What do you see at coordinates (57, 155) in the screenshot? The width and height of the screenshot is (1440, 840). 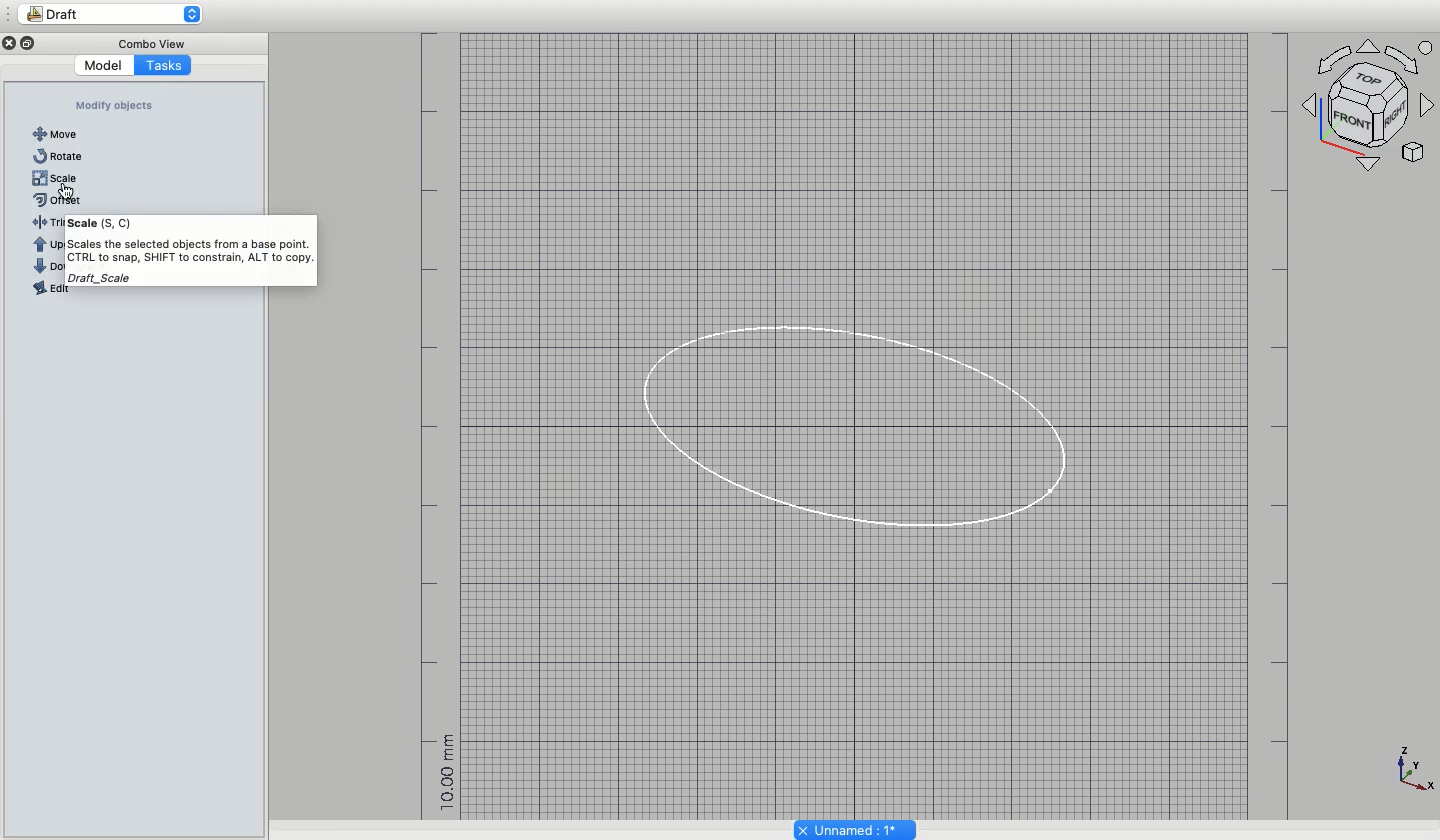 I see `Rotate` at bounding box center [57, 155].